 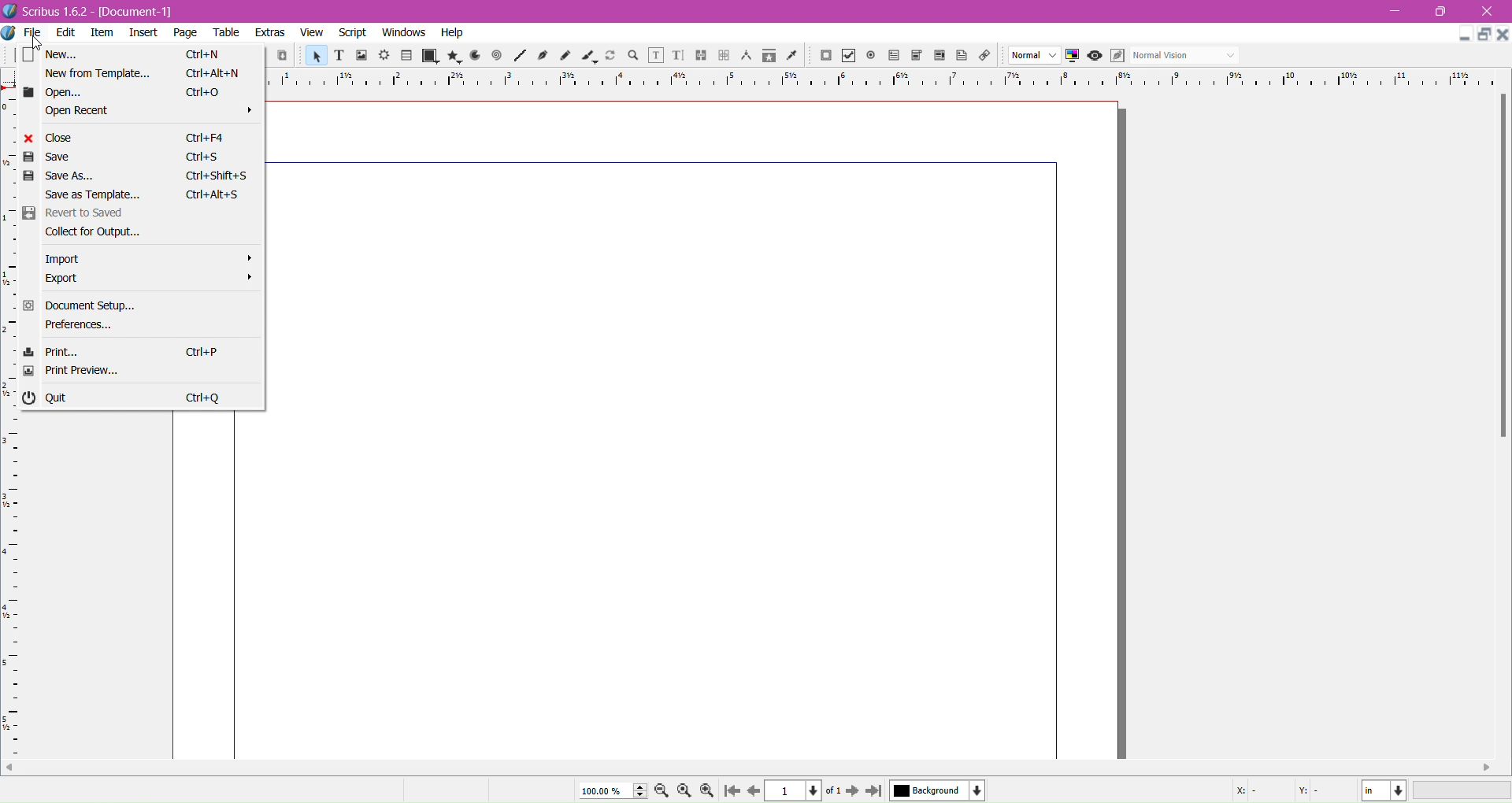 What do you see at coordinates (143, 195) in the screenshot?
I see `Save as Template` at bounding box center [143, 195].